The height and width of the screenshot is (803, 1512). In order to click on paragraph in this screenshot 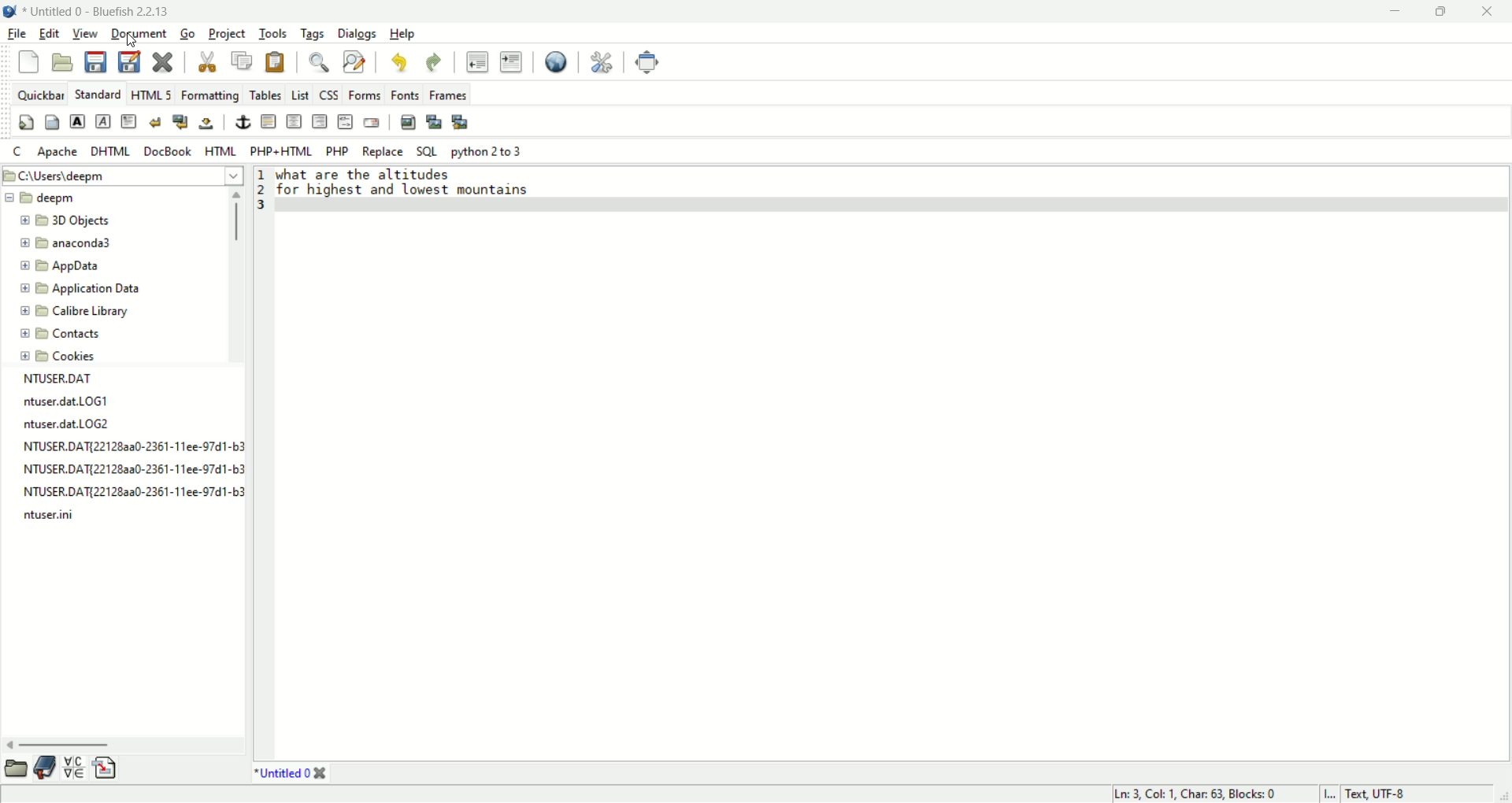, I will do `click(128, 124)`.